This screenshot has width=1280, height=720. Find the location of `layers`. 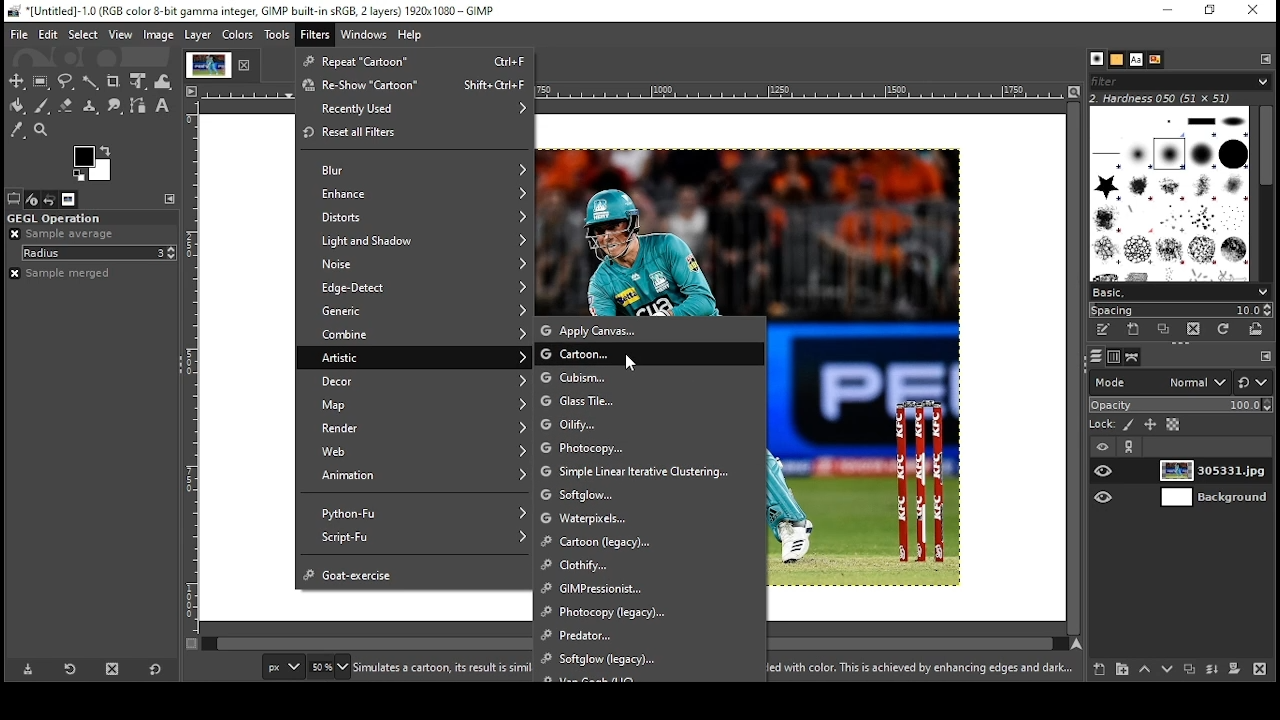

layers is located at coordinates (1097, 357).